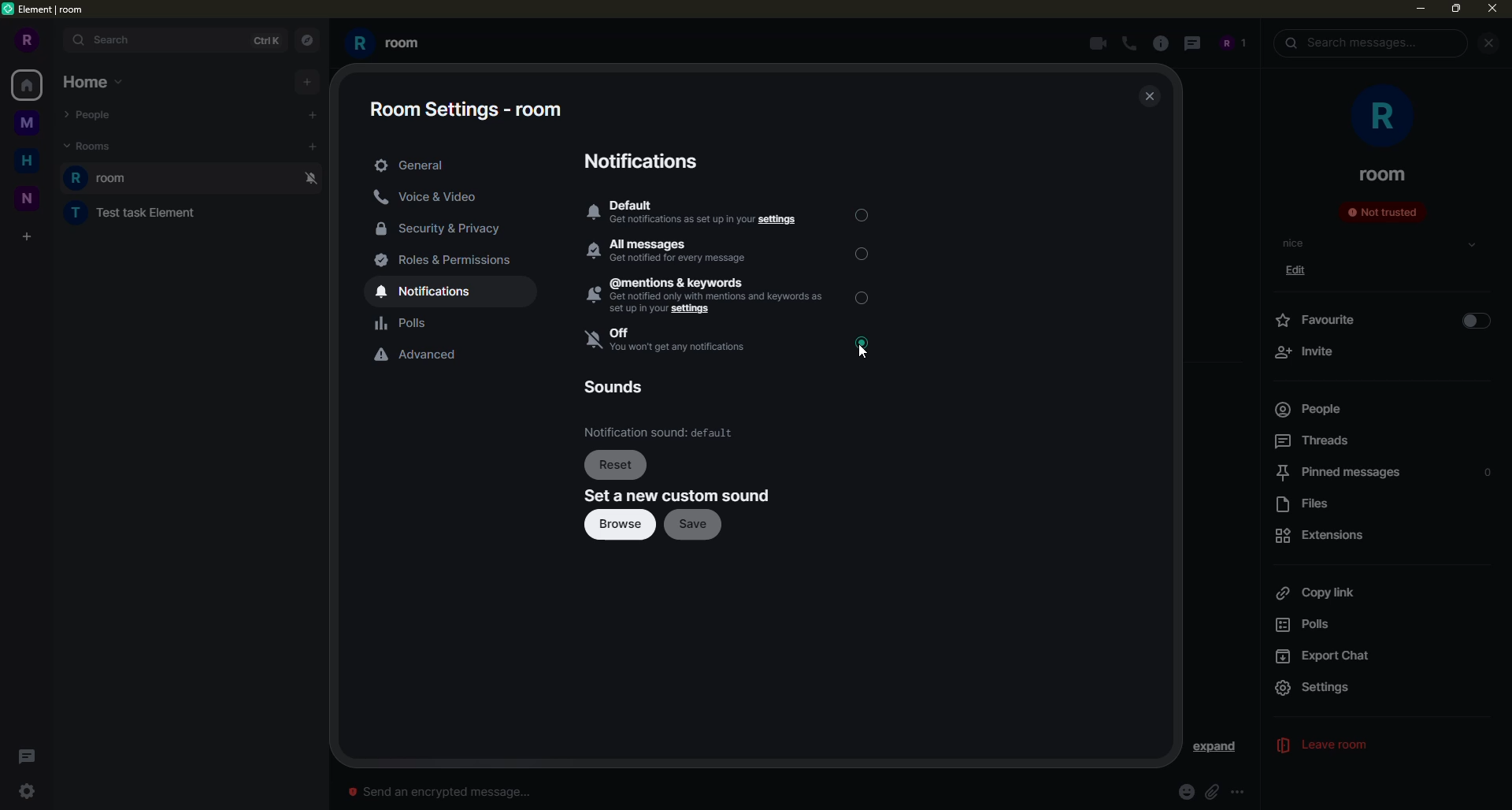  Describe the element at coordinates (10, 10) in the screenshot. I see `logo` at that location.